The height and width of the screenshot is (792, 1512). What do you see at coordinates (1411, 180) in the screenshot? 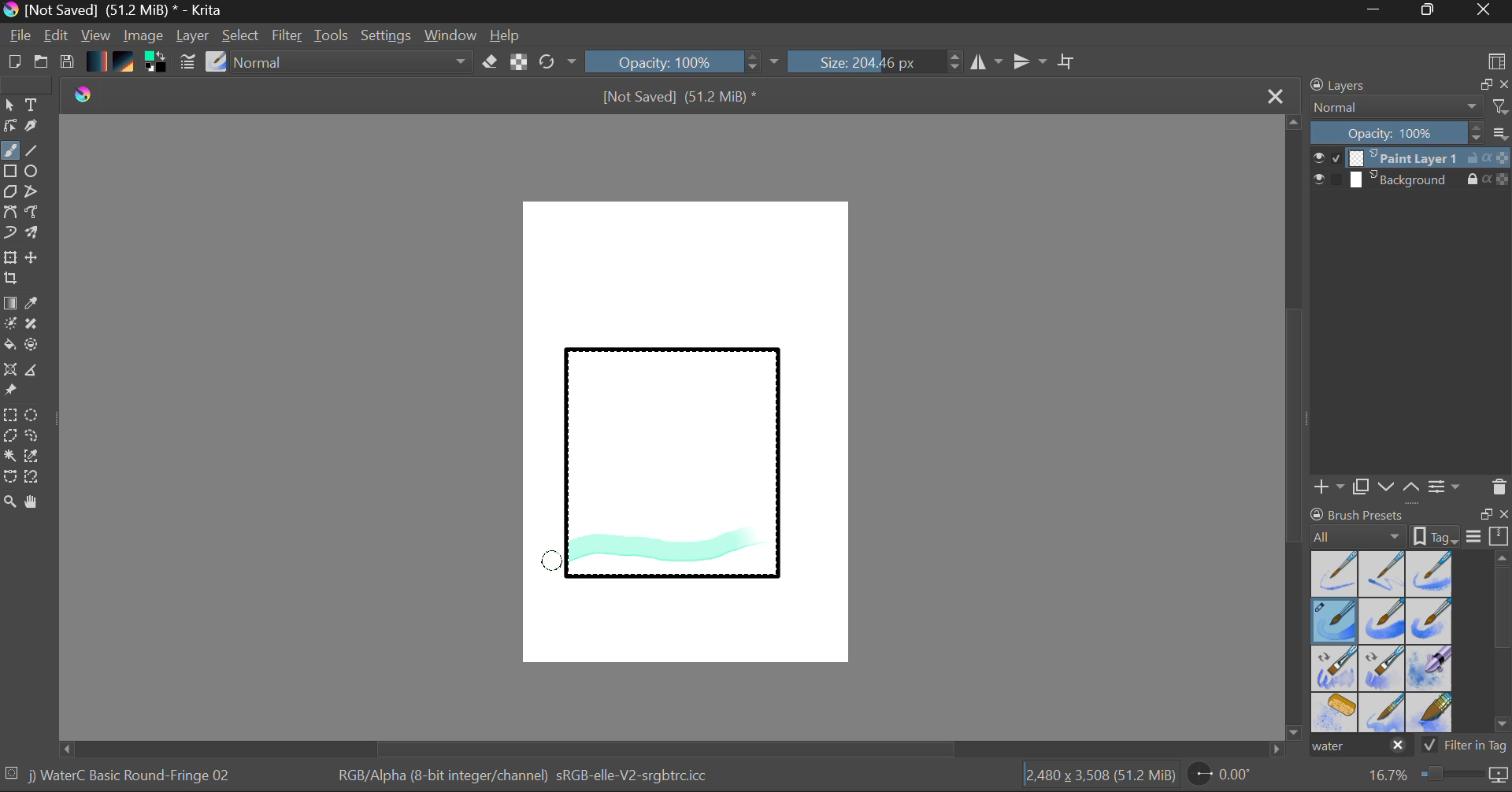
I see `Background Layer` at bounding box center [1411, 180].